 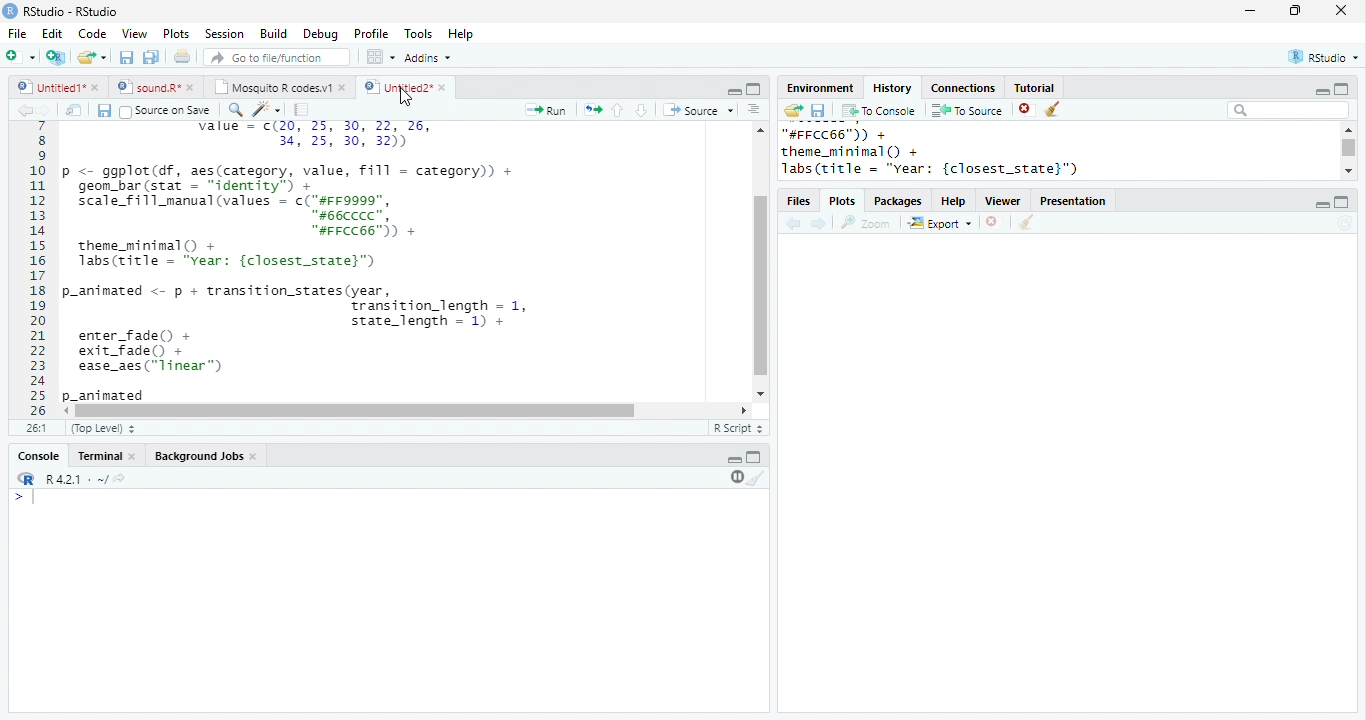 I want to click on R.4.2.1 . ~, so click(x=75, y=478).